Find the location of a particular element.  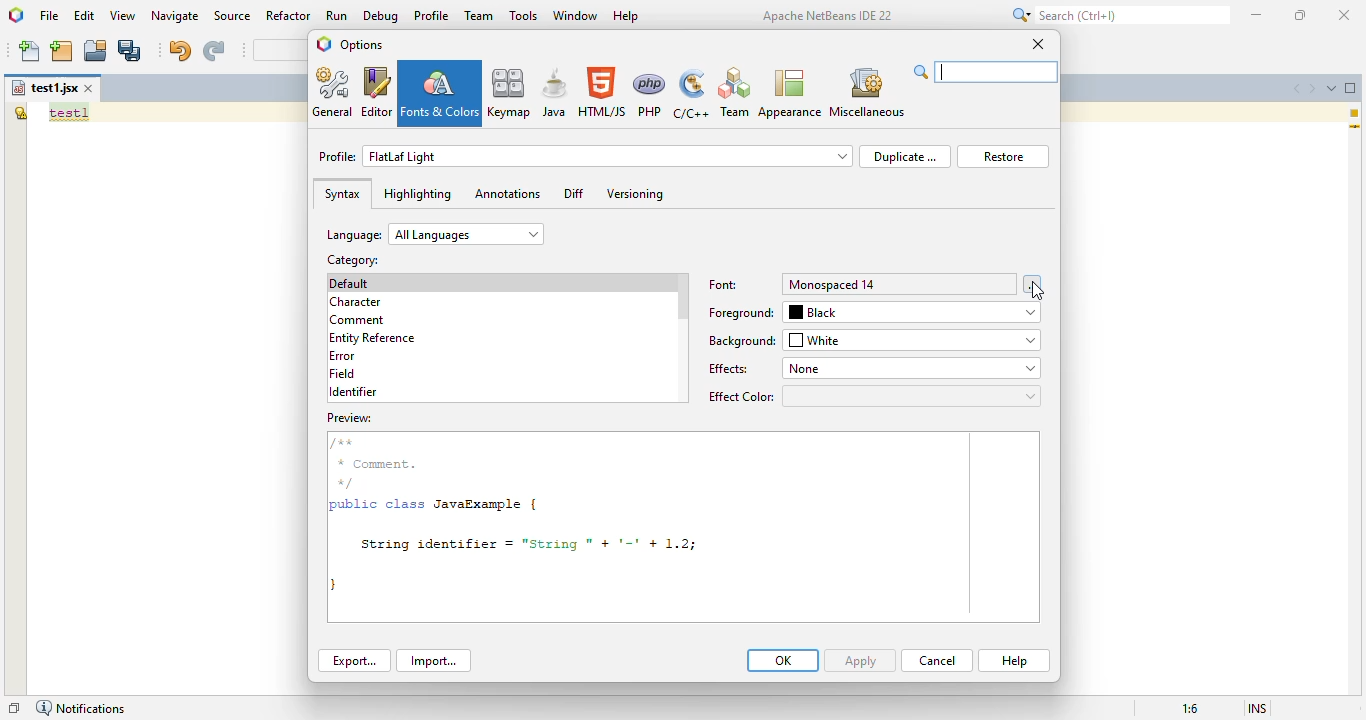

maximize window is located at coordinates (1351, 88).